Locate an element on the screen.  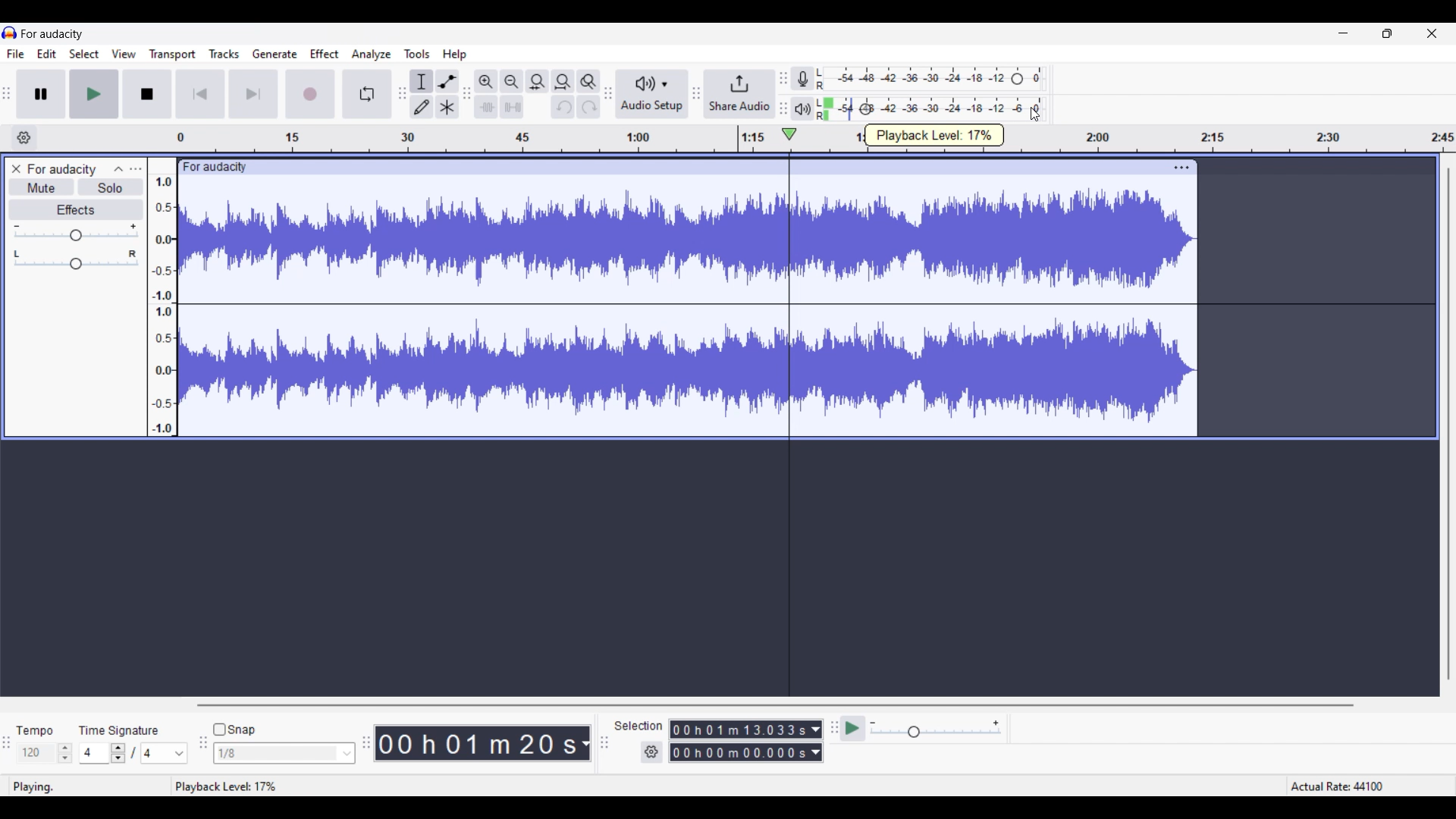
Time signature settings is located at coordinates (133, 752).